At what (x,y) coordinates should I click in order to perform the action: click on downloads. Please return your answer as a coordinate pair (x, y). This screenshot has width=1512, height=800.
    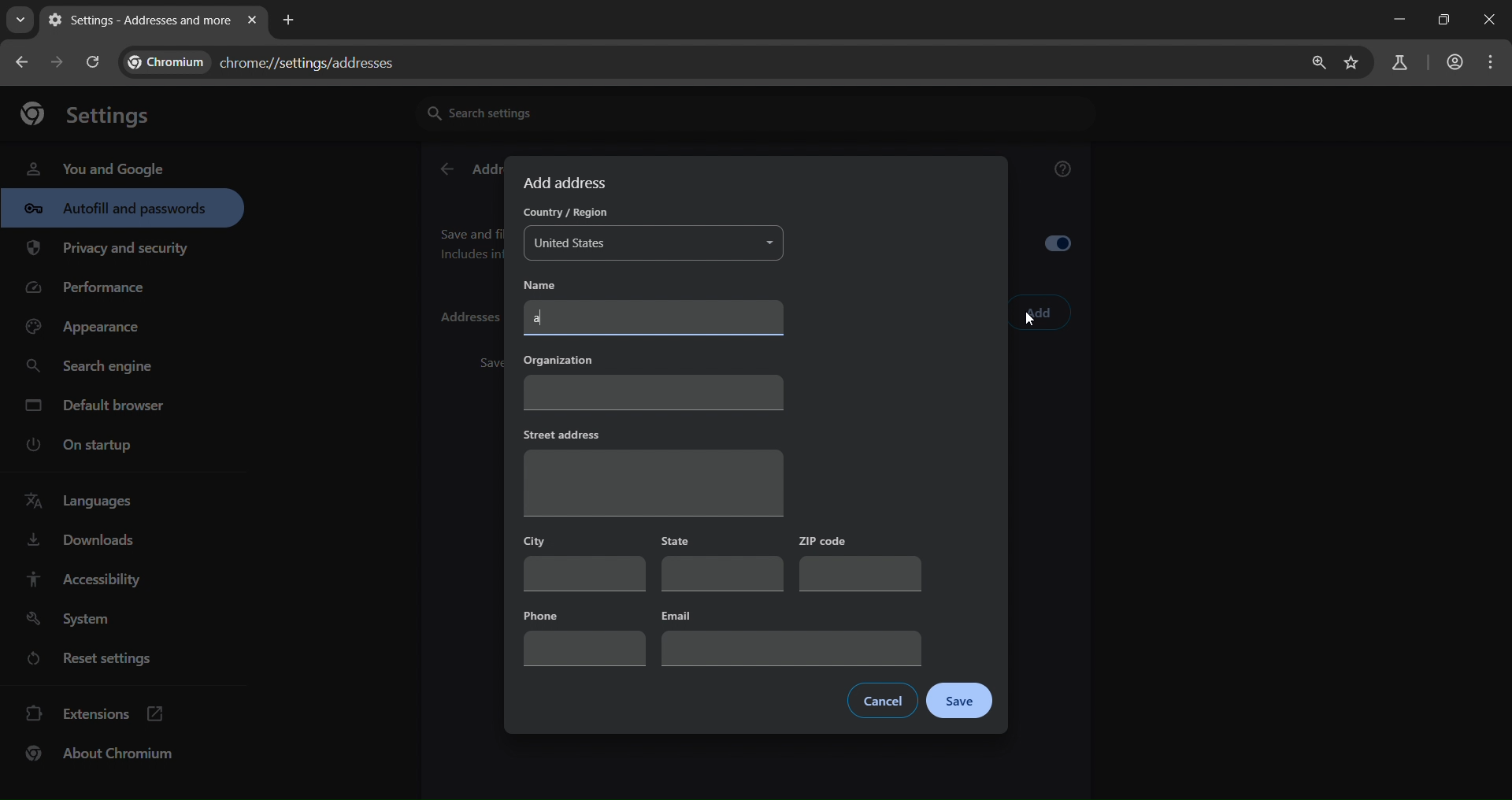
    Looking at the image, I should click on (80, 543).